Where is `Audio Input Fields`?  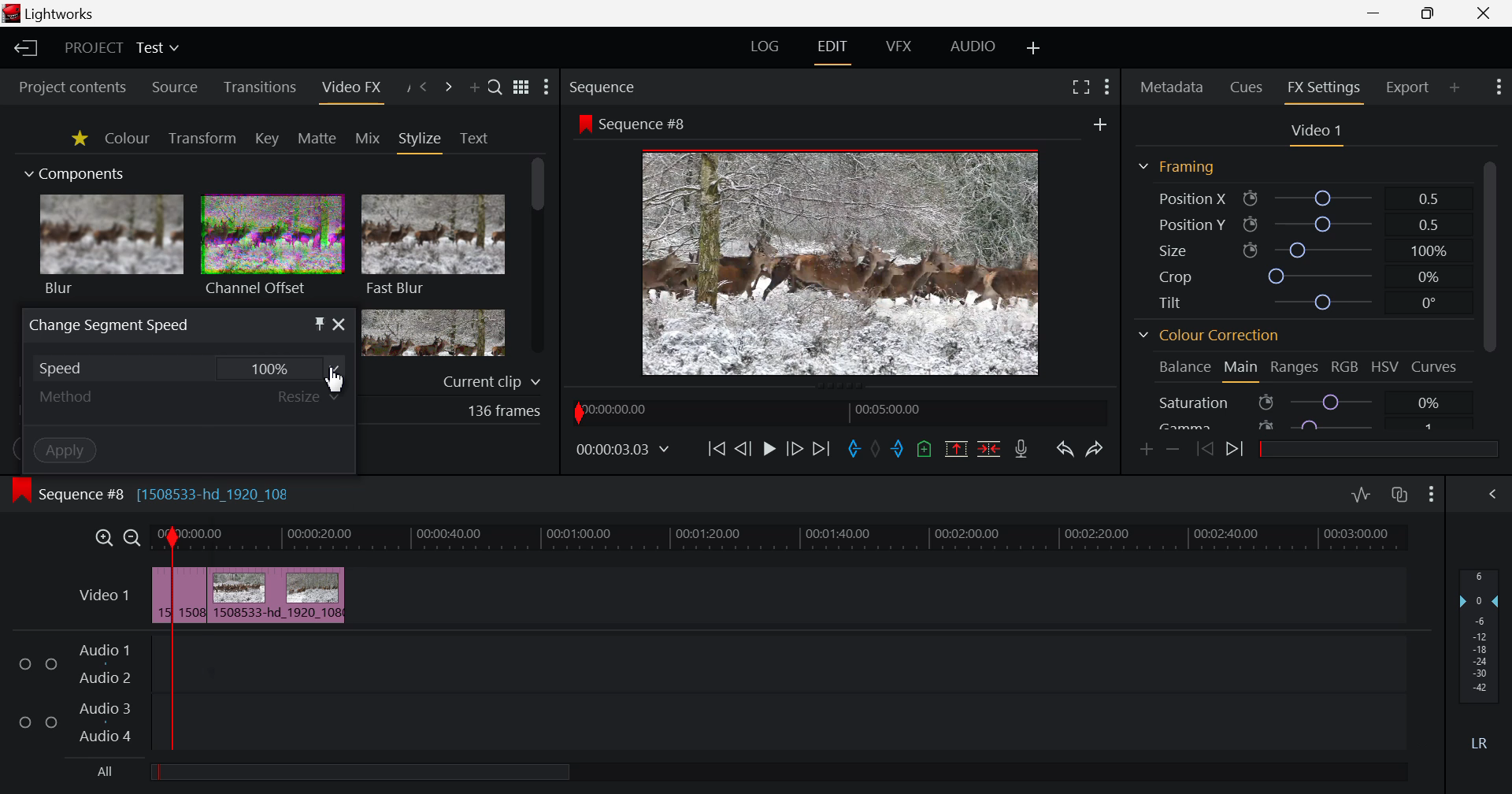
Audio Input Fields is located at coordinates (703, 695).